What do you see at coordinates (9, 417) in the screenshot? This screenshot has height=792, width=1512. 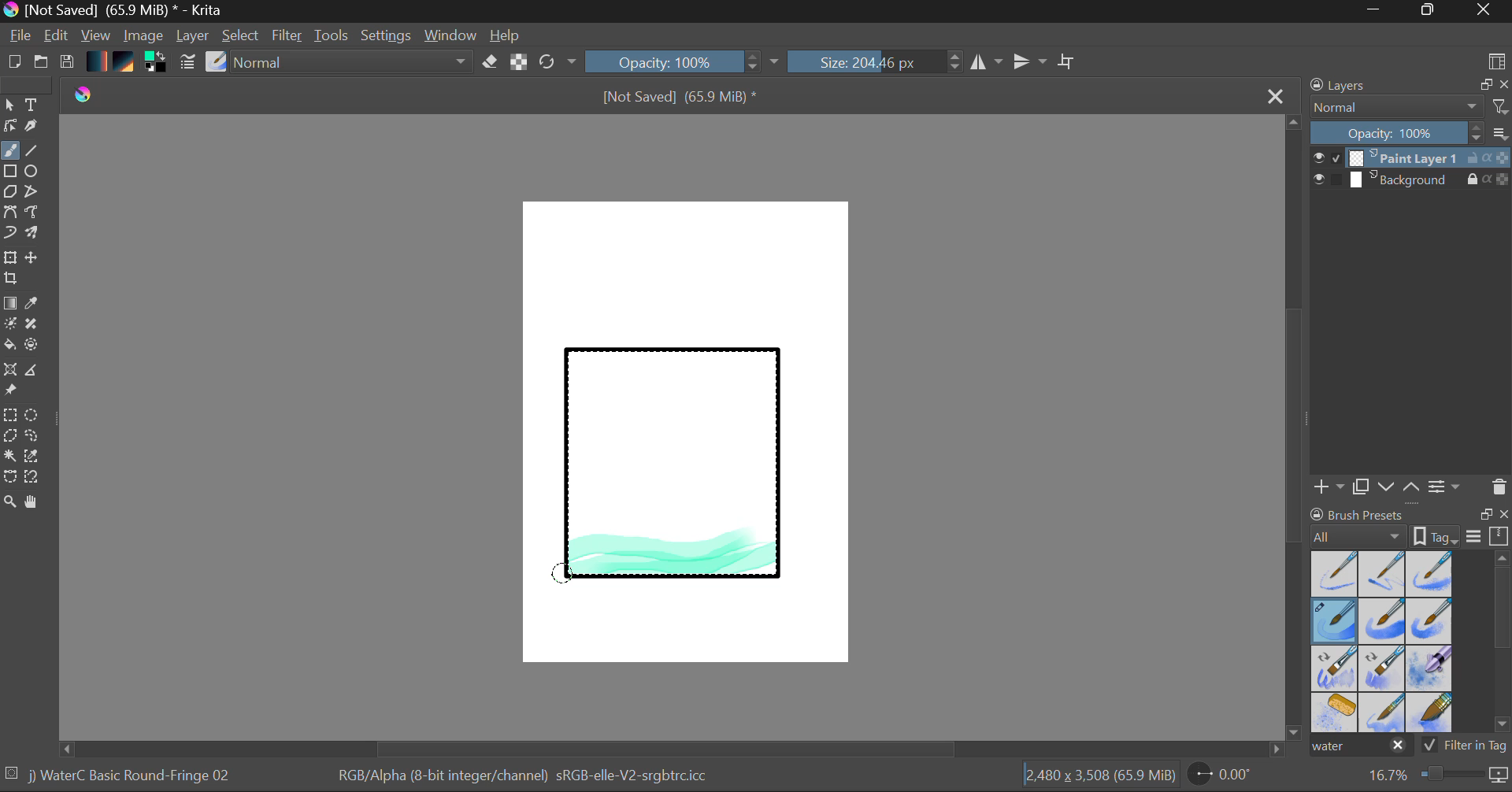 I see `Rectangle Selection Tool` at bounding box center [9, 417].